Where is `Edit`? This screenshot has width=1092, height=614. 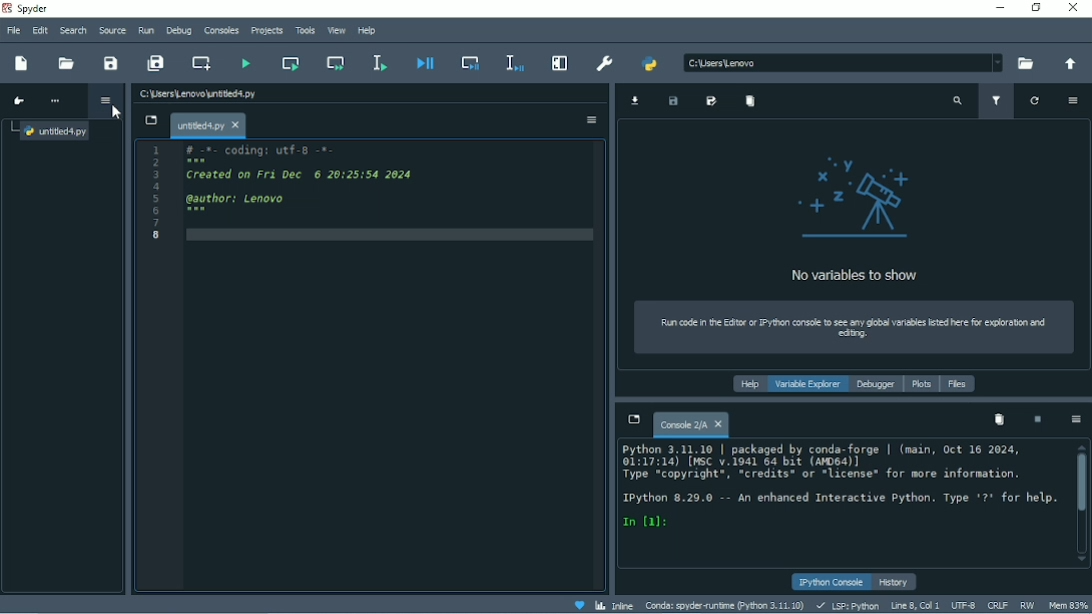 Edit is located at coordinates (39, 32).